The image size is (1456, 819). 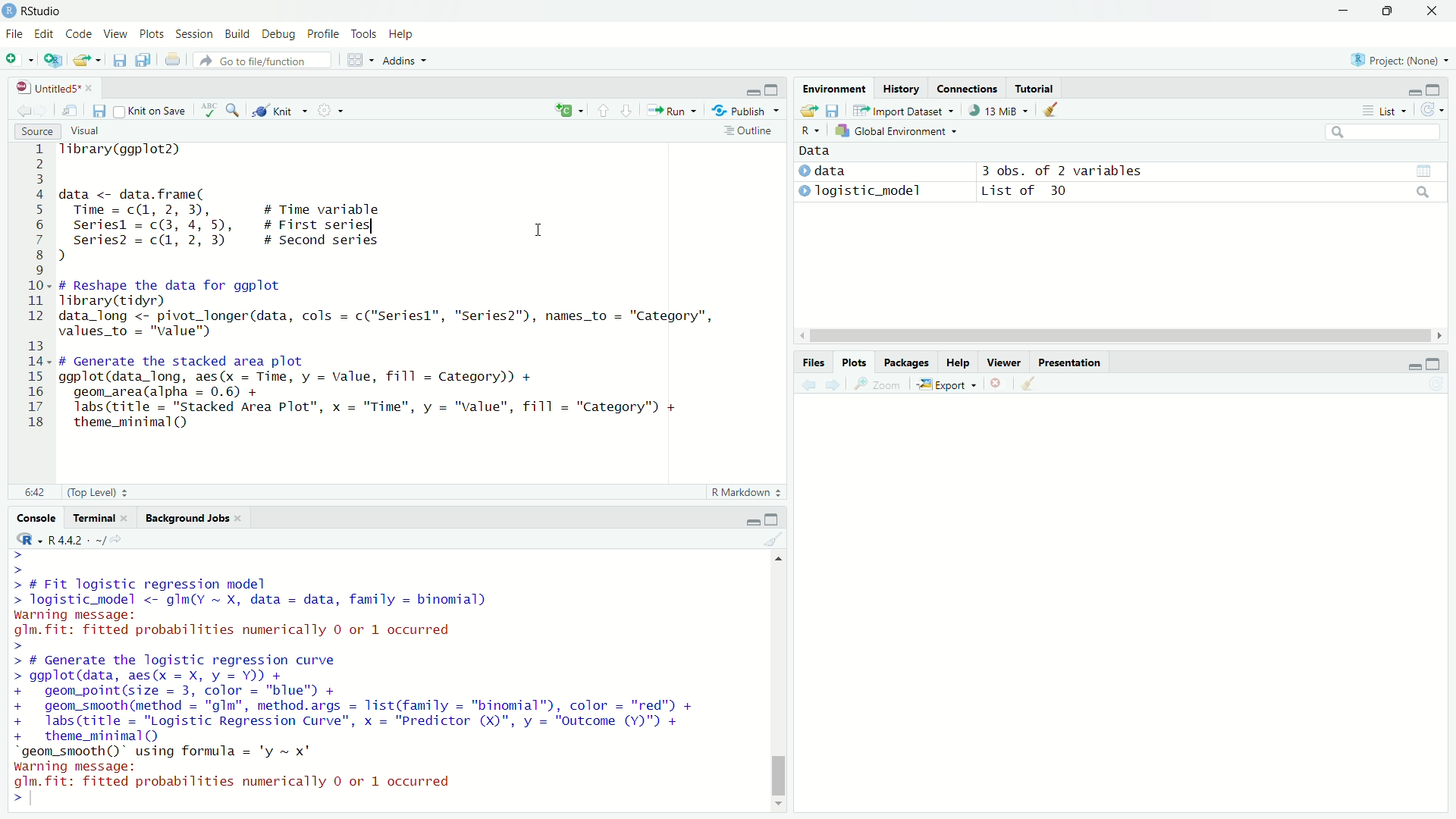 I want to click on List, so click(x=1387, y=111).